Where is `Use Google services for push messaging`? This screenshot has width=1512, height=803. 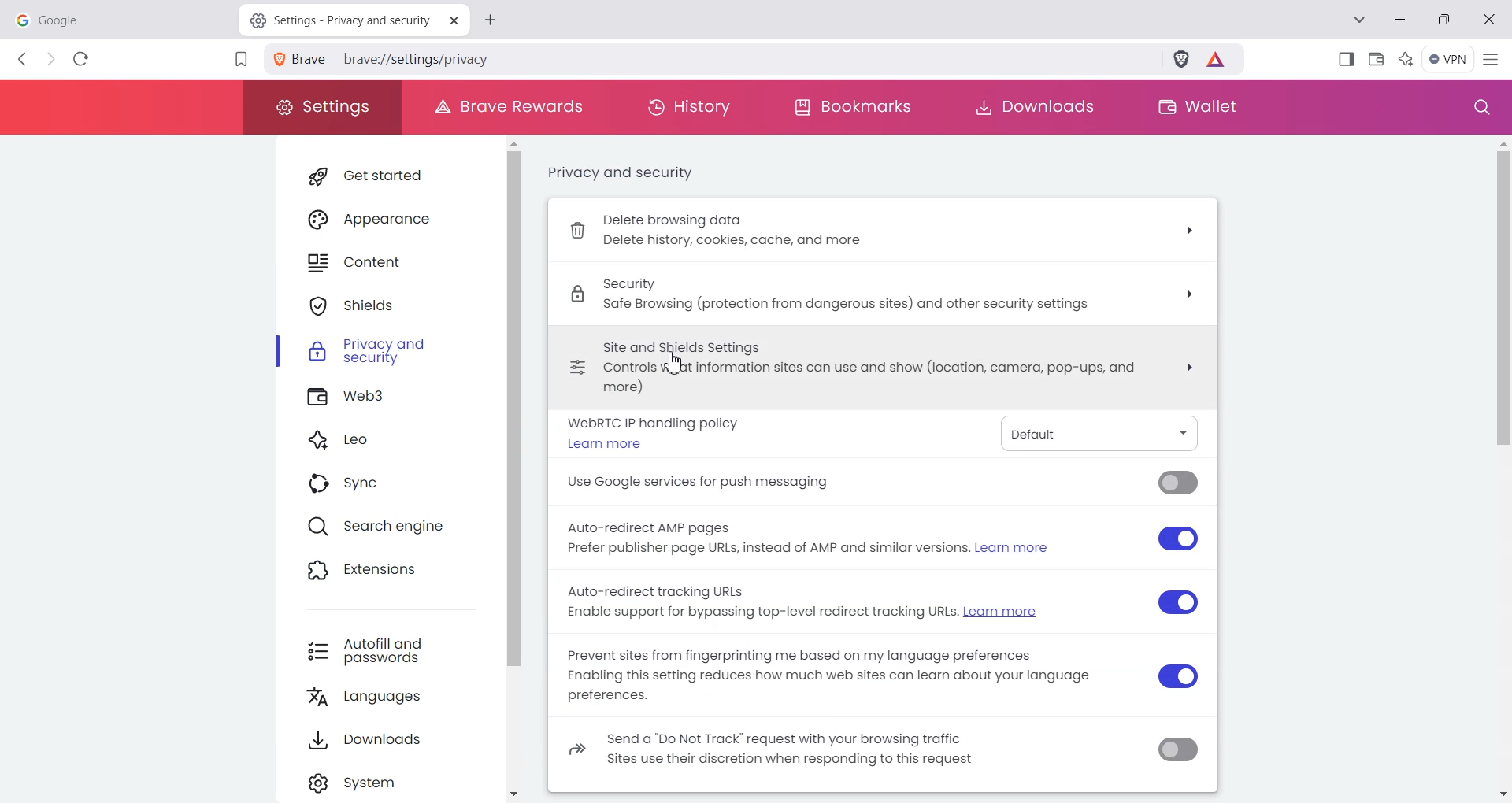 Use Google services for push messaging is located at coordinates (701, 483).